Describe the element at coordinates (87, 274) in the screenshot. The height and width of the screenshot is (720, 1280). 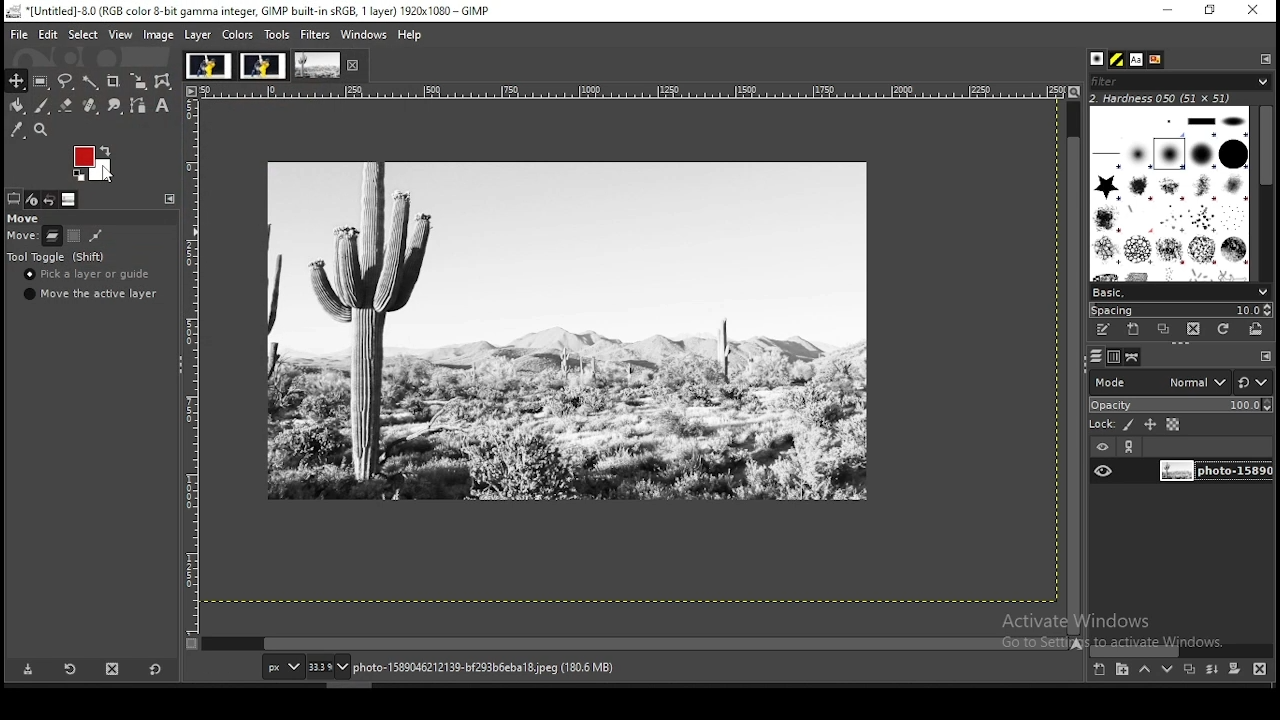
I see `pick a layer or guide` at that location.